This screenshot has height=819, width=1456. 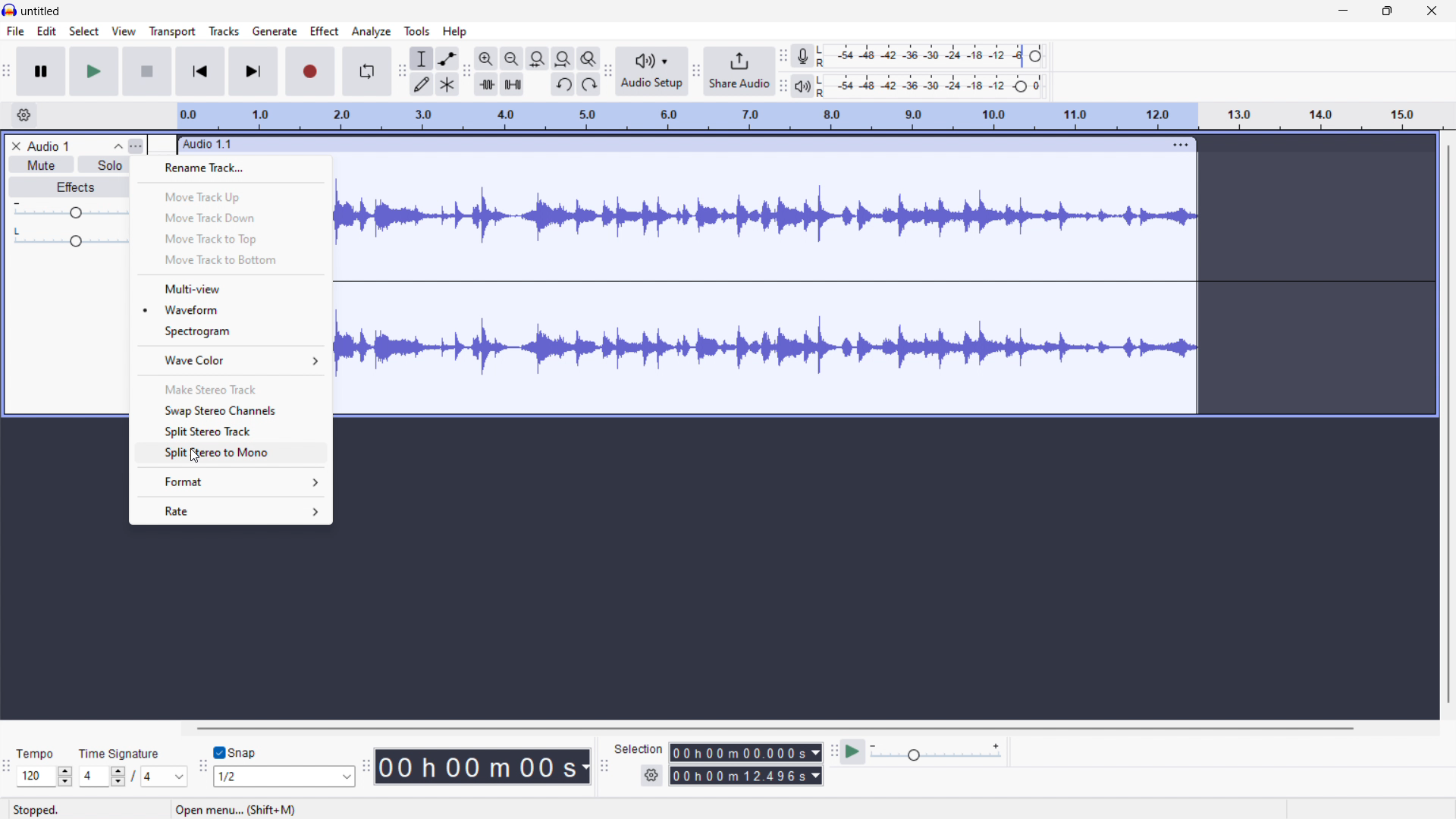 I want to click on share audio, so click(x=739, y=71).